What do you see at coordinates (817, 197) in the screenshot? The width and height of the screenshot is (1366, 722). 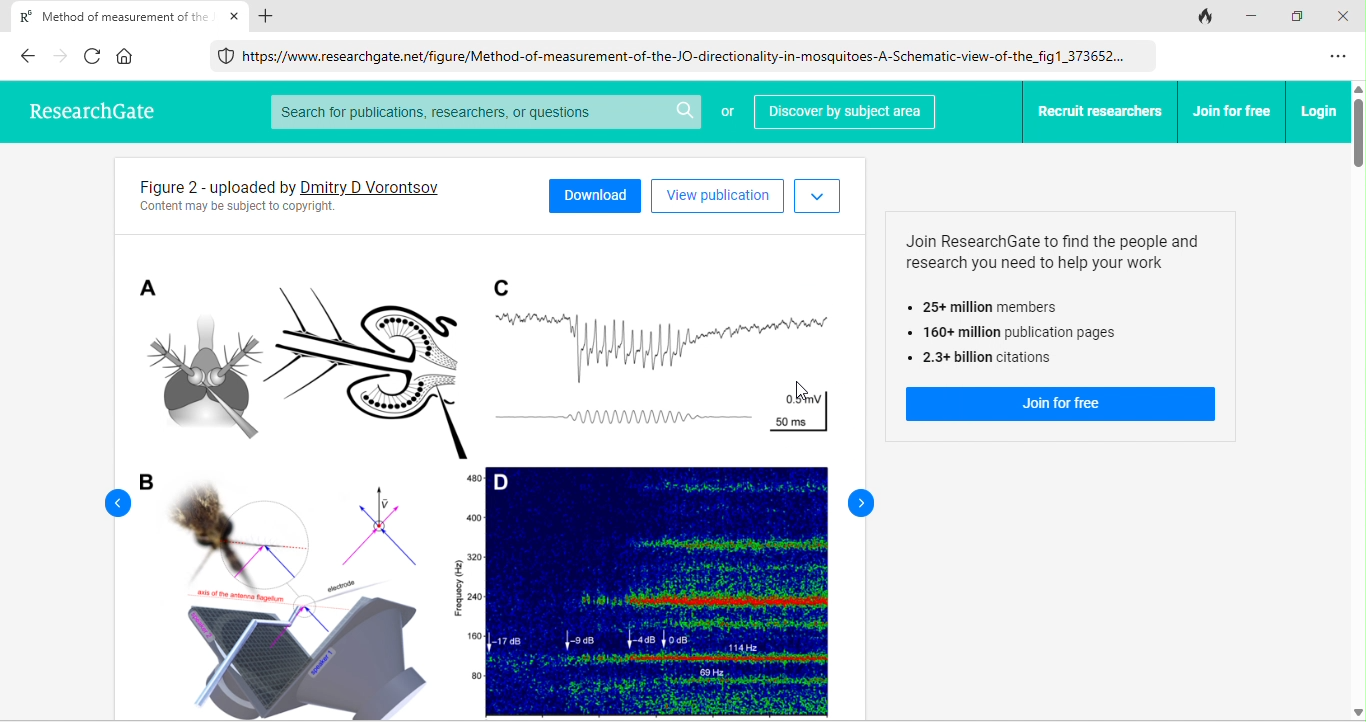 I see `dropdown` at bounding box center [817, 197].